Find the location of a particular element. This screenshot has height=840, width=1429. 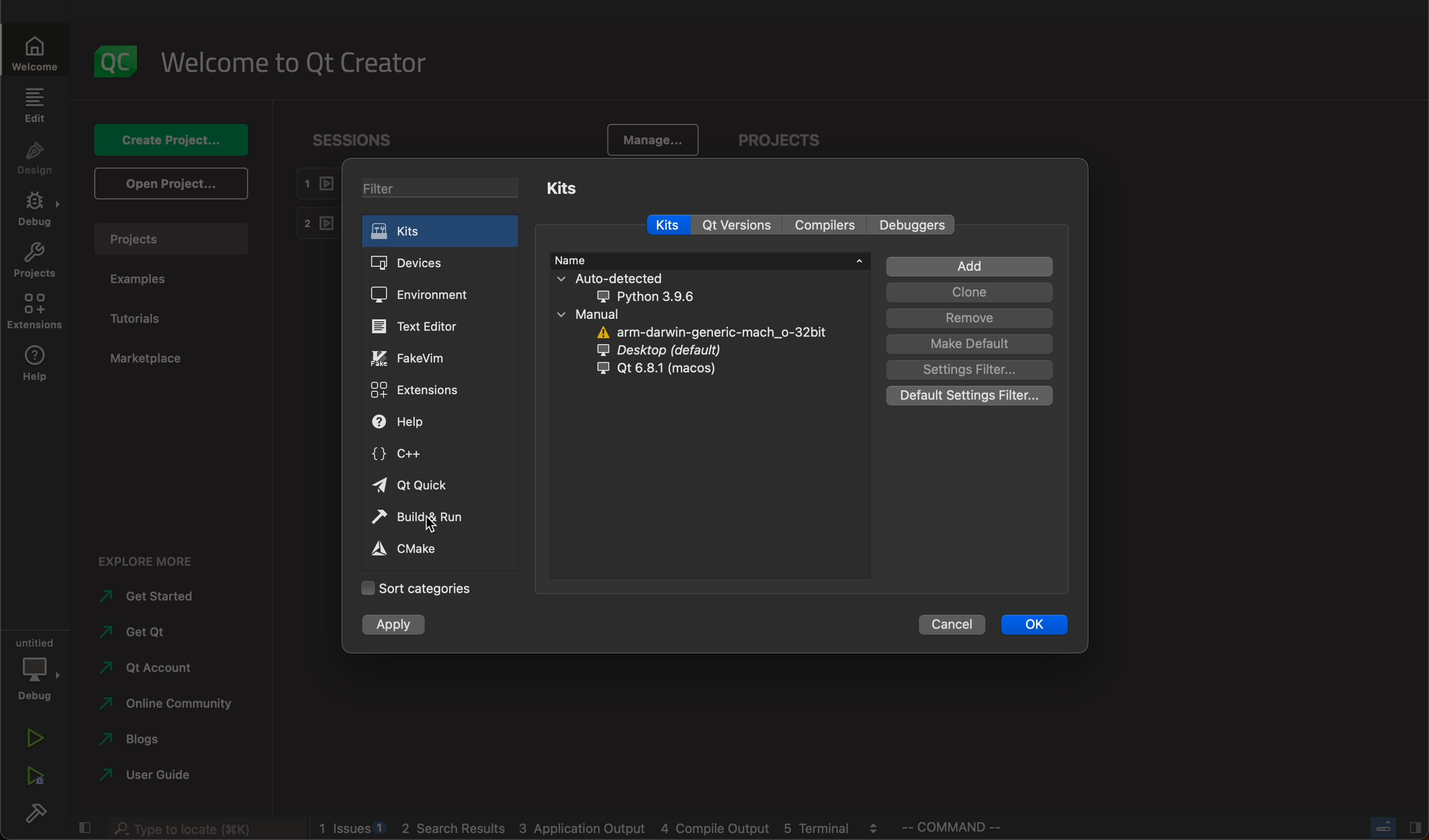

run is located at coordinates (32, 738).